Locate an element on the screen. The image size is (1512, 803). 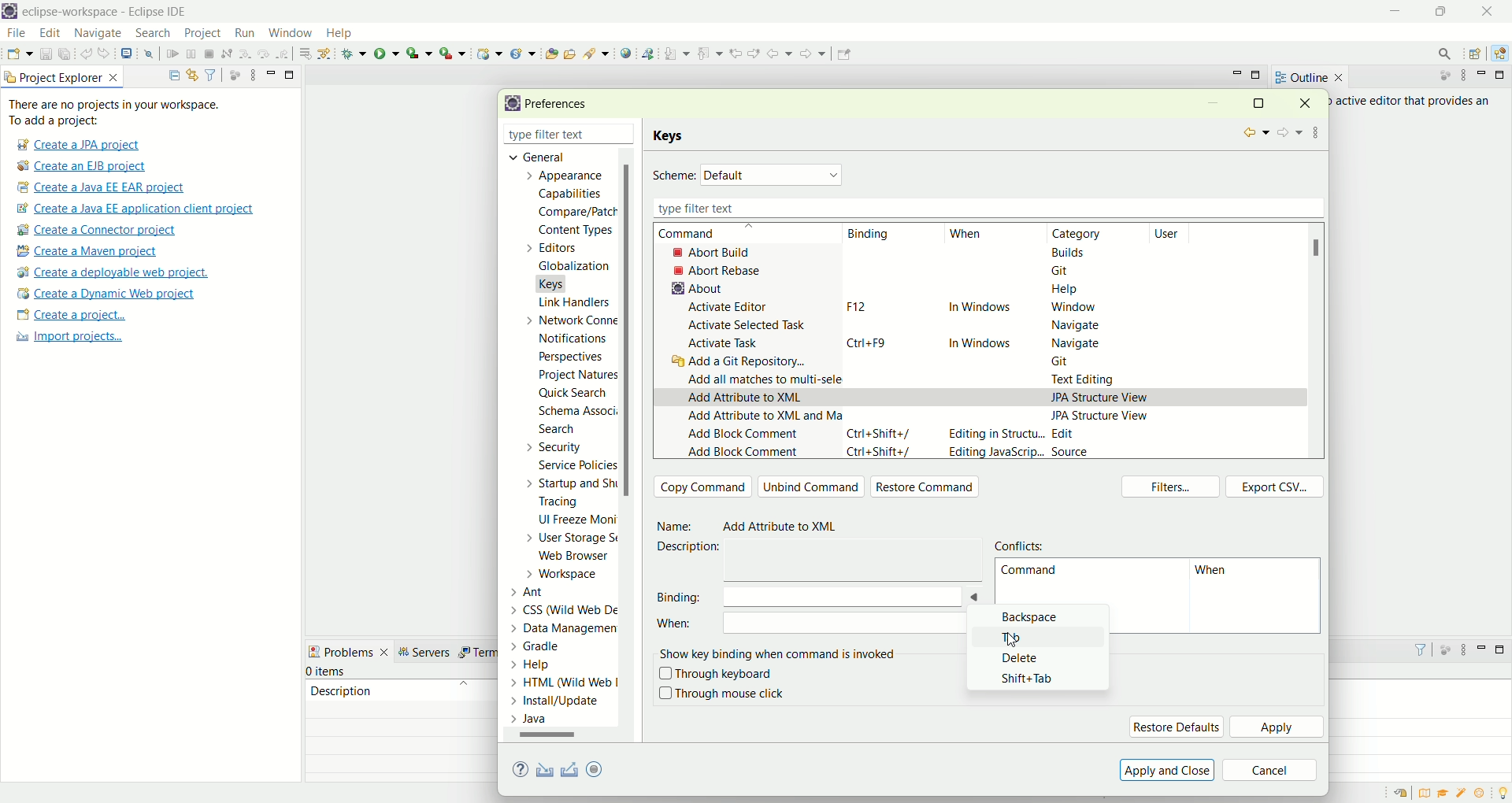
security is located at coordinates (550, 447).